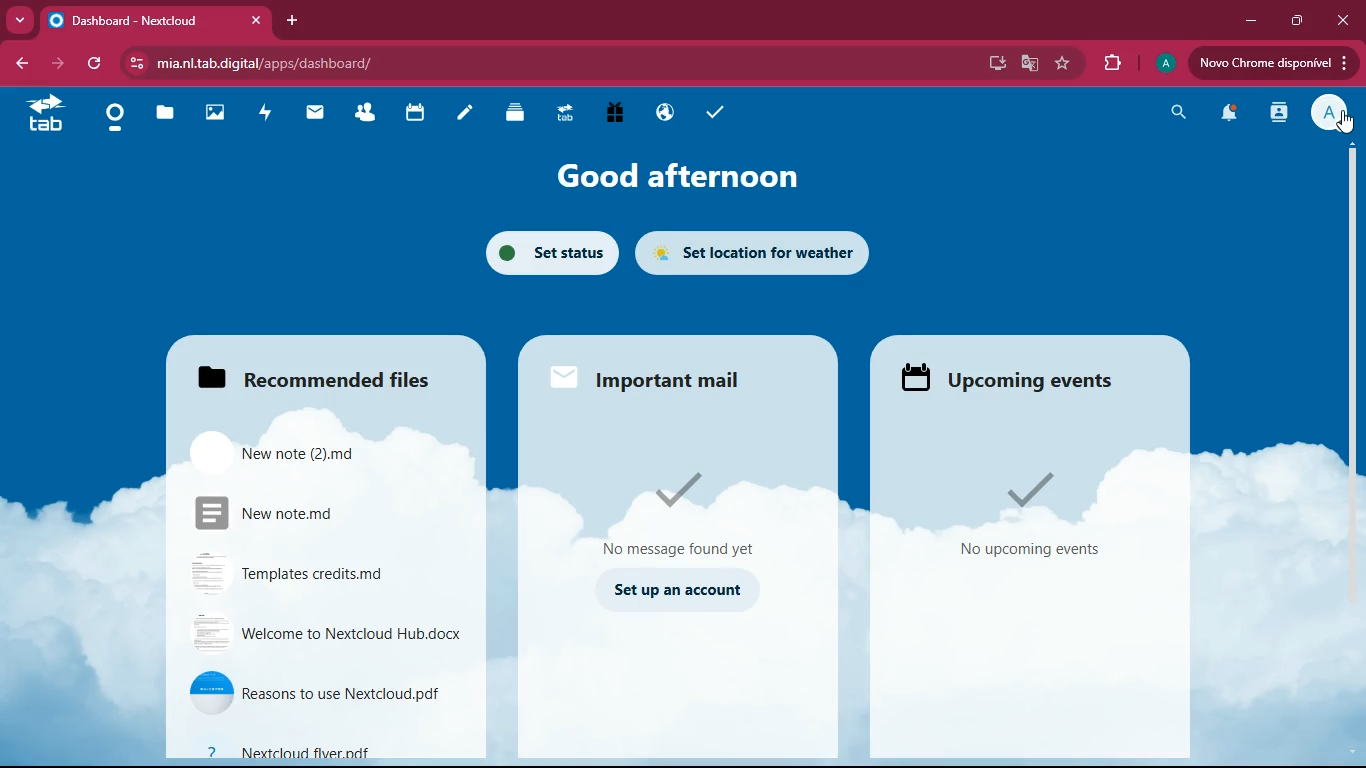 The image size is (1366, 768). What do you see at coordinates (261, 114) in the screenshot?
I see `activity` at bounding box center [261, 114].